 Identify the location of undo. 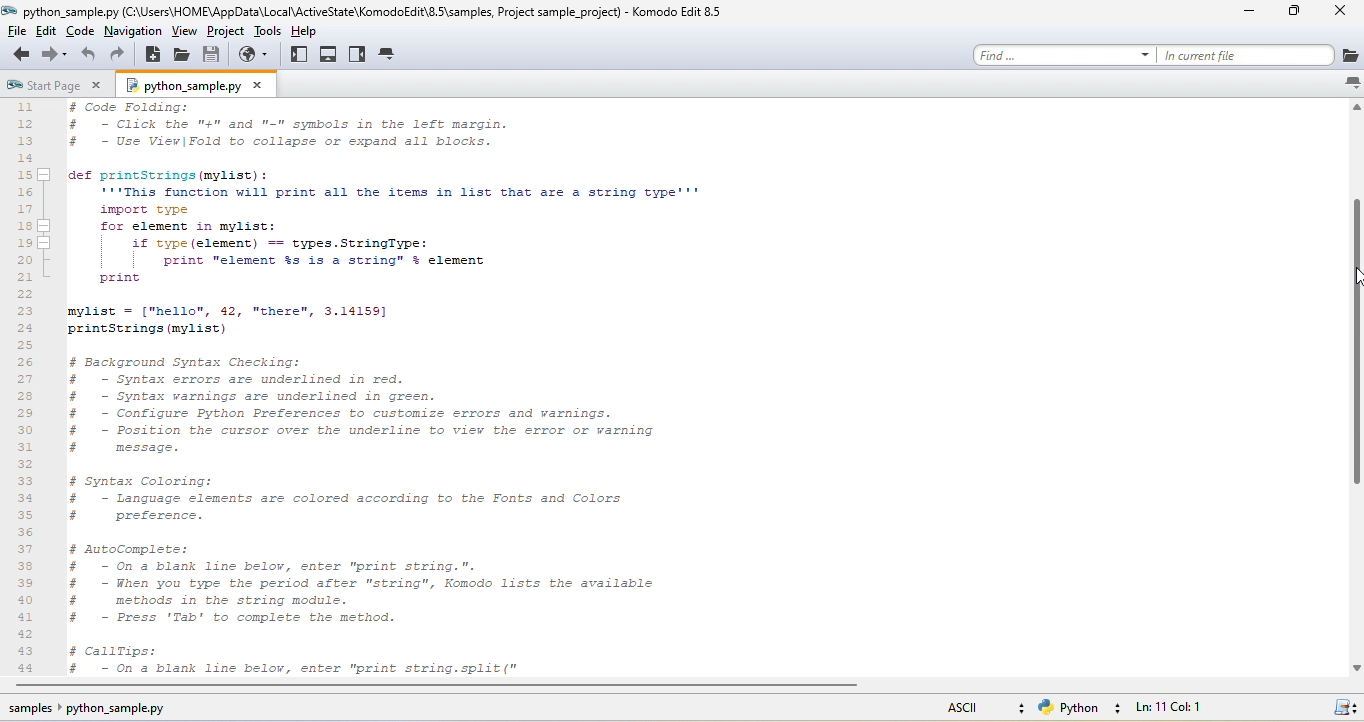
(90, 57).